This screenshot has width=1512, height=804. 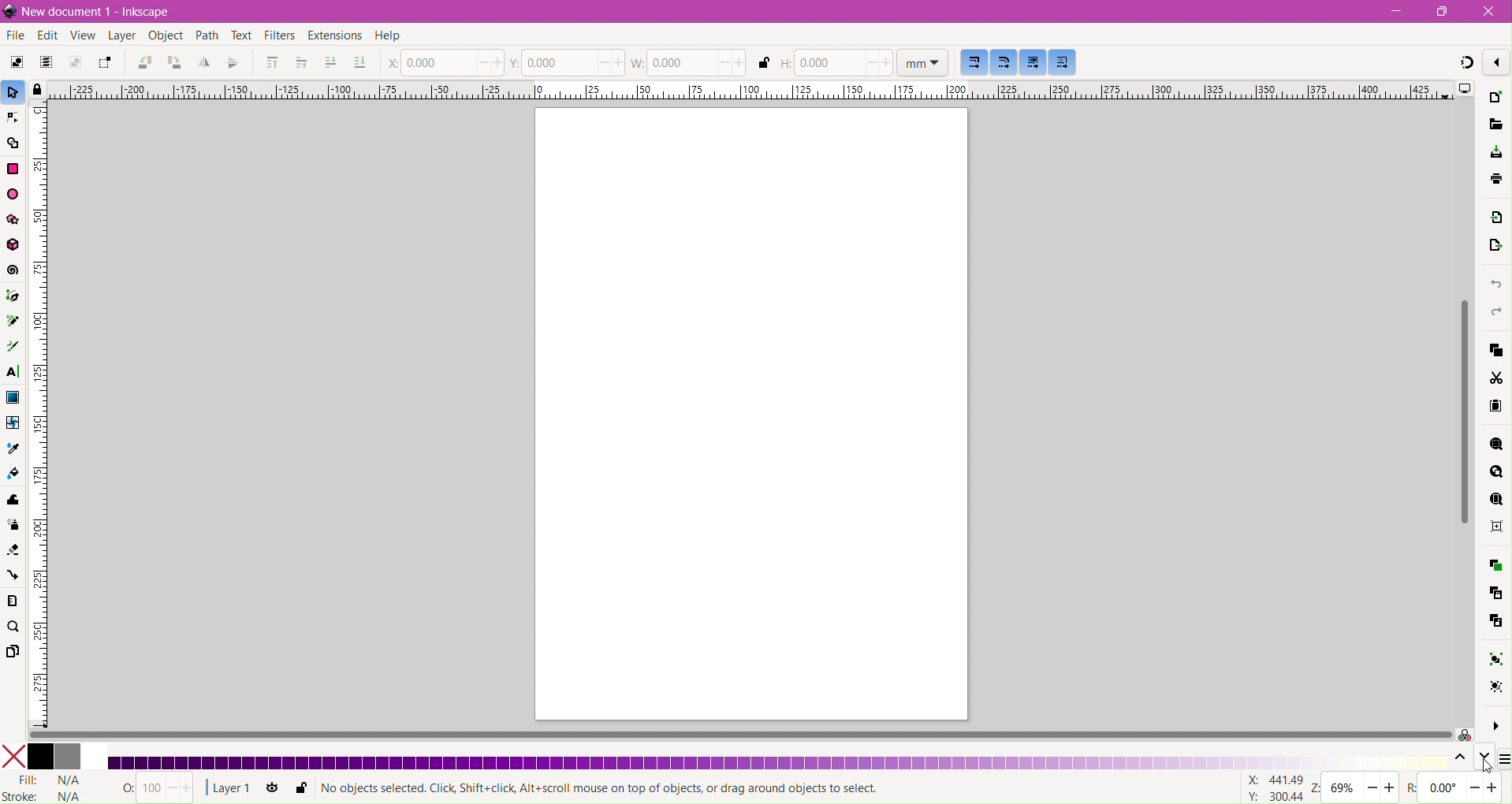 I want to click on Redo, so click(x=1496, y=311).